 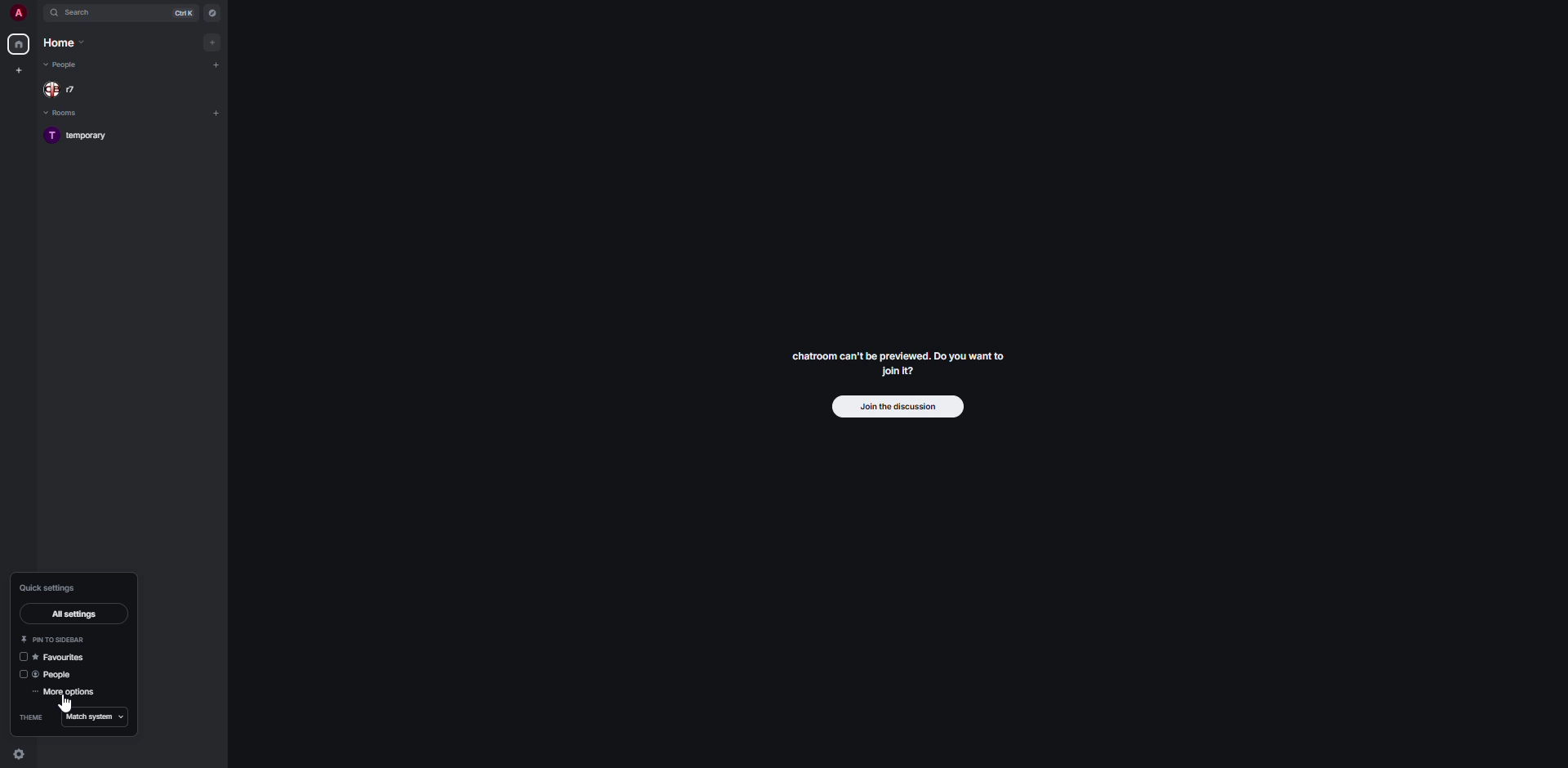 I want to click on people, so click(x=64, y=89).